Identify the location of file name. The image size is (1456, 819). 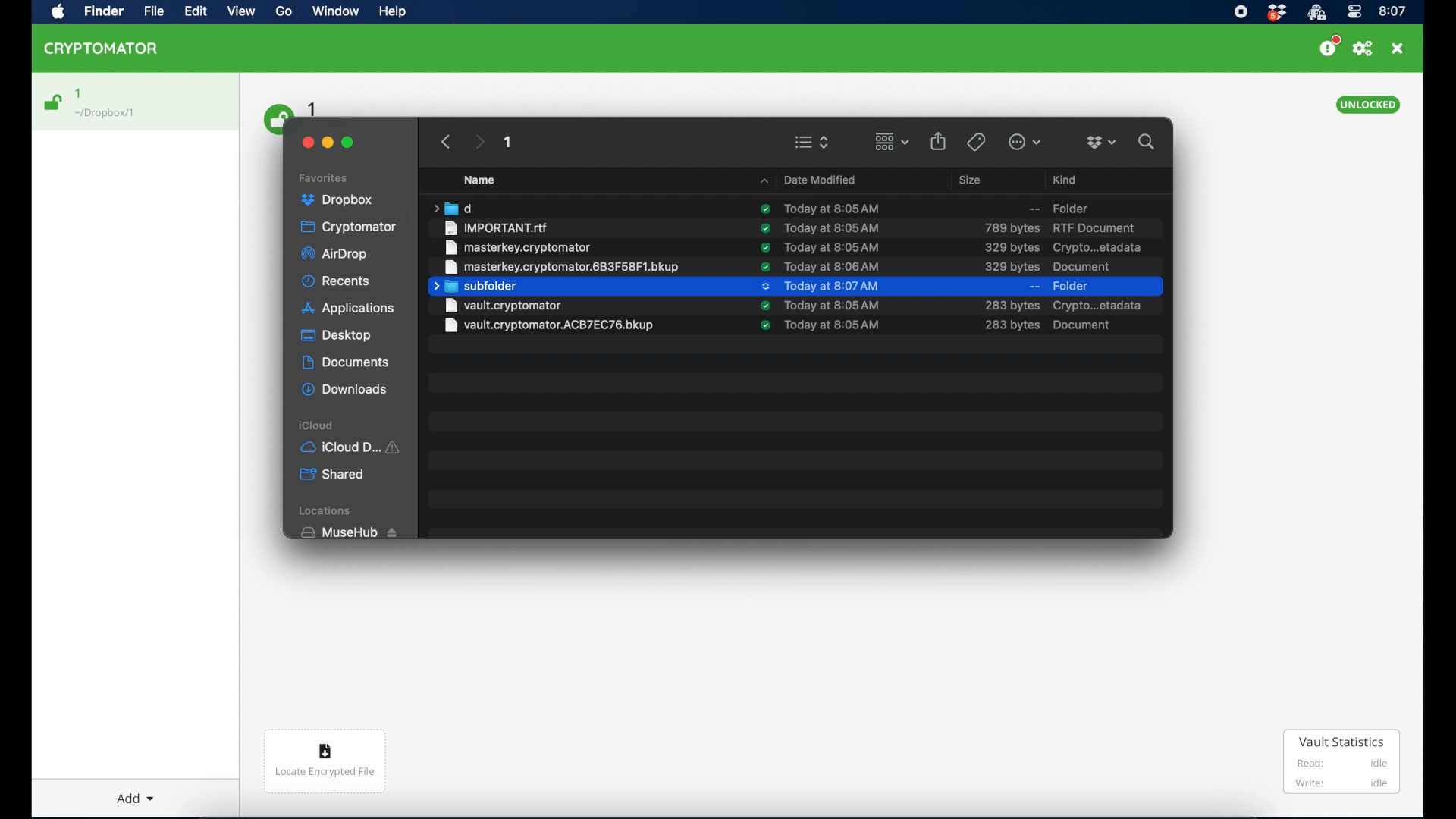
(552, 328).